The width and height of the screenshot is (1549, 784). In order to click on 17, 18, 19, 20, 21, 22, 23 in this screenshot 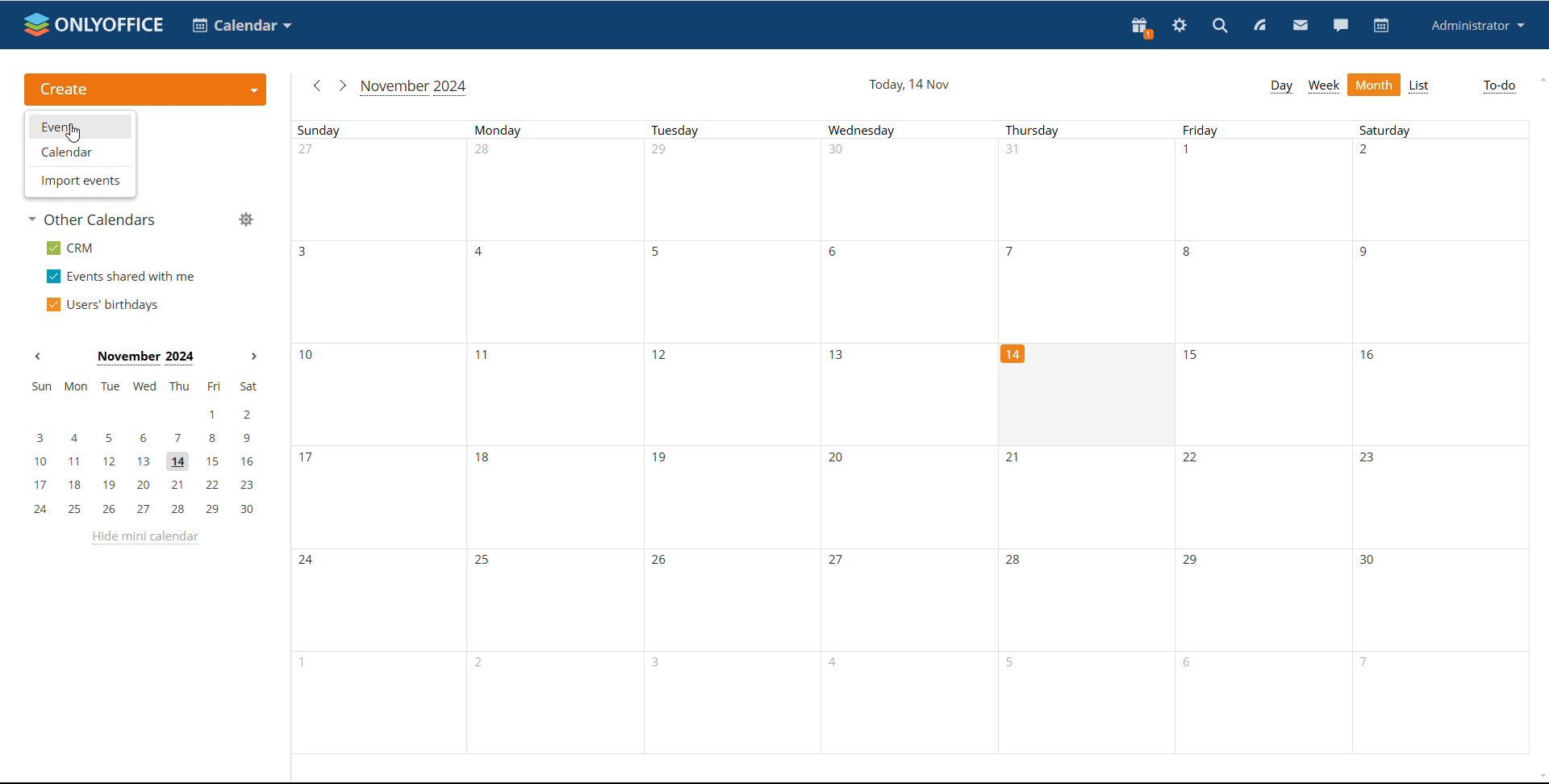, I will do `click(148, 485)`.